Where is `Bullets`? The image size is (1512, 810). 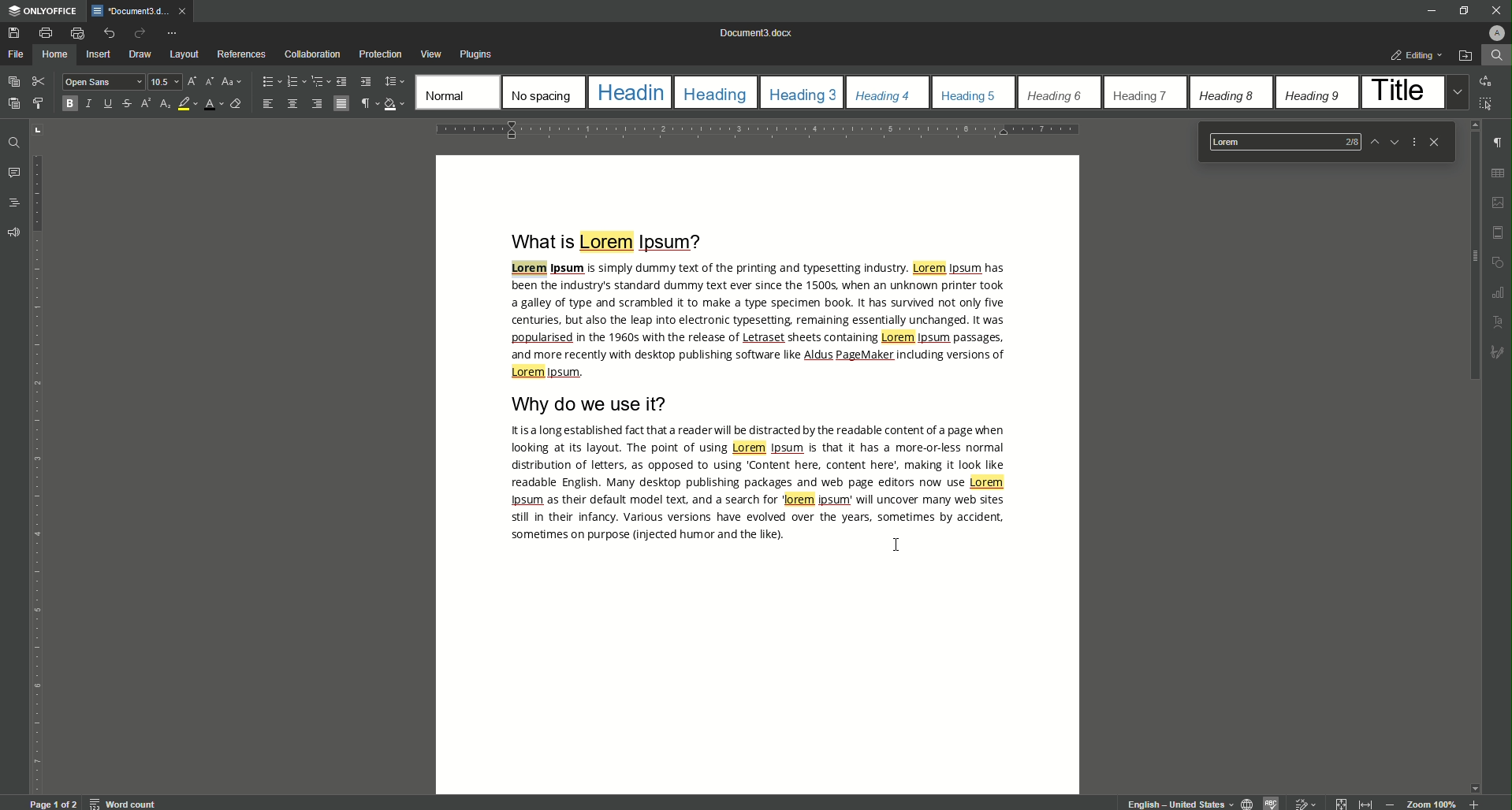 Bullets is located at coordinates (267, 82).